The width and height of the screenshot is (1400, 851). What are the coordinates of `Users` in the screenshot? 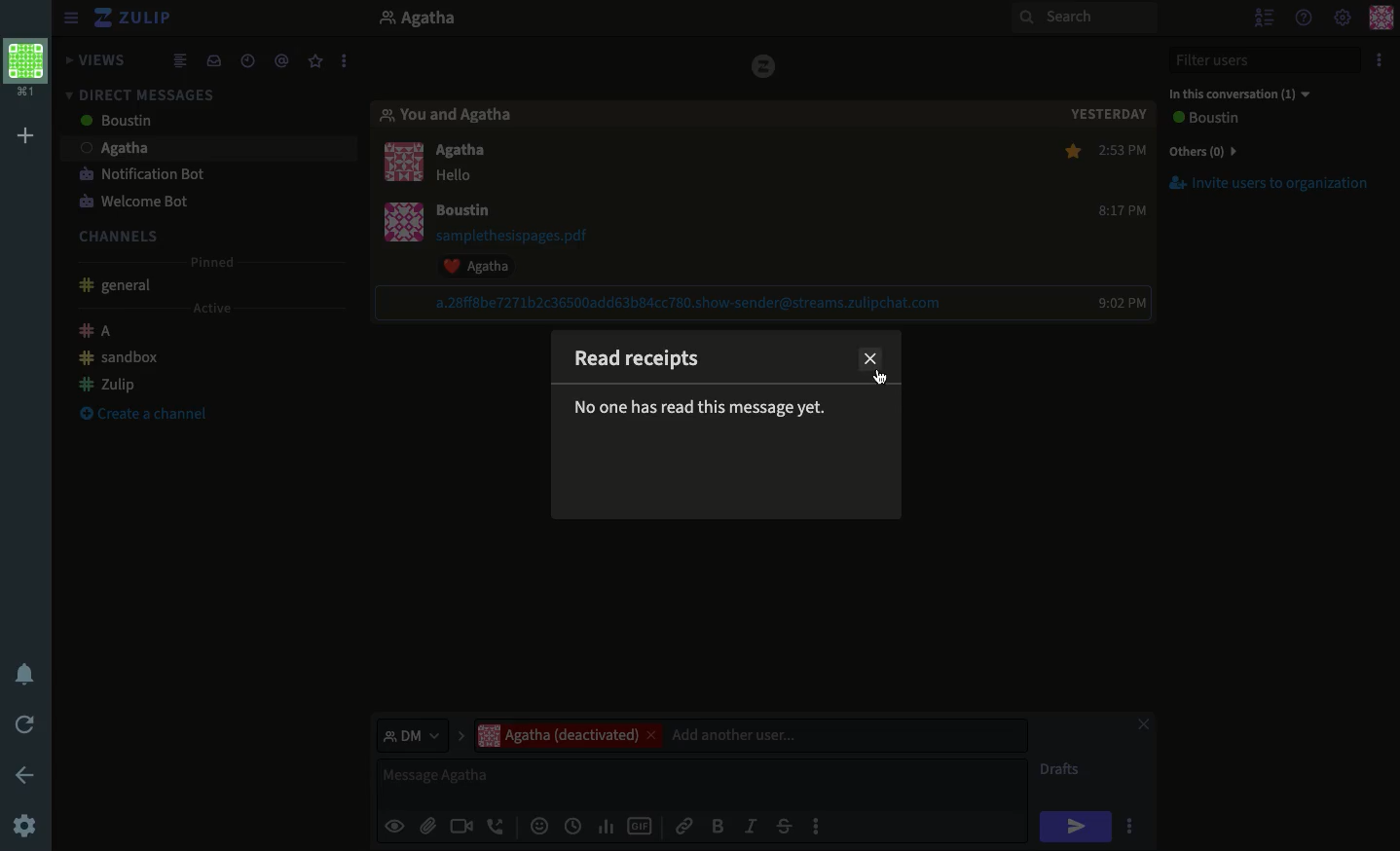 It's located at (750, 735).